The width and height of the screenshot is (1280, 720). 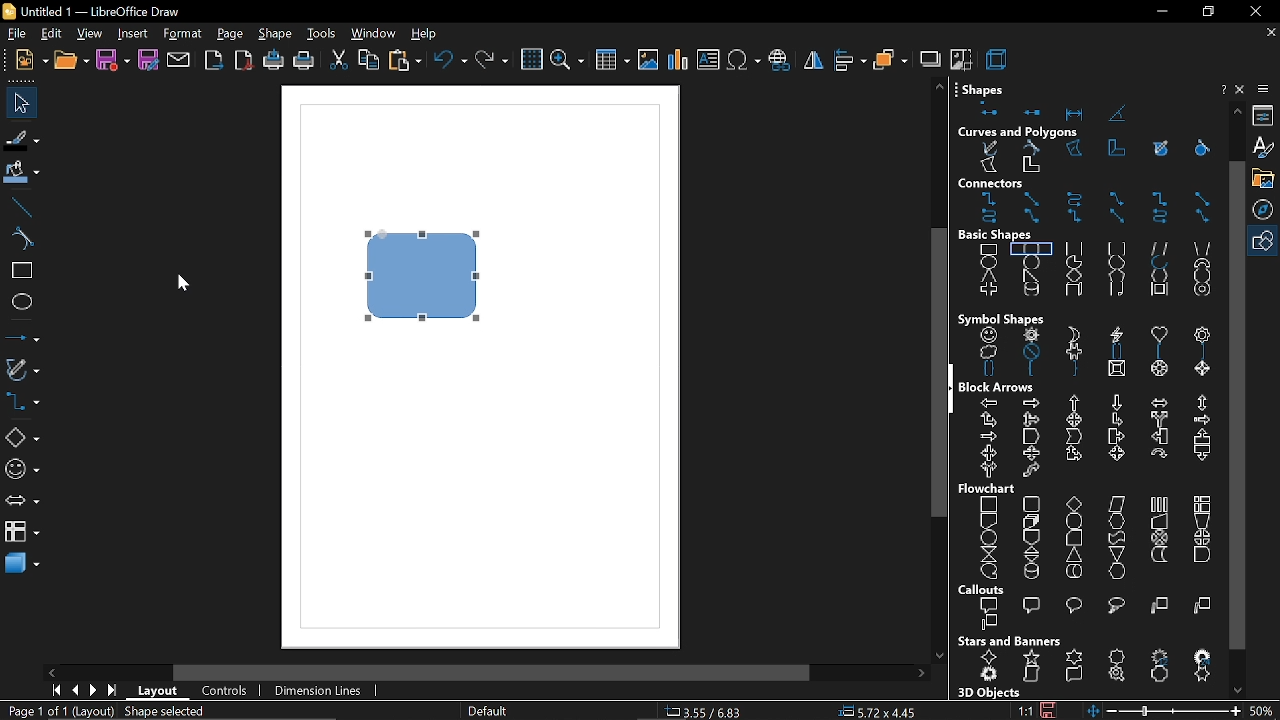 I want to click on symbol shapes, so click(x=1093, y=354).